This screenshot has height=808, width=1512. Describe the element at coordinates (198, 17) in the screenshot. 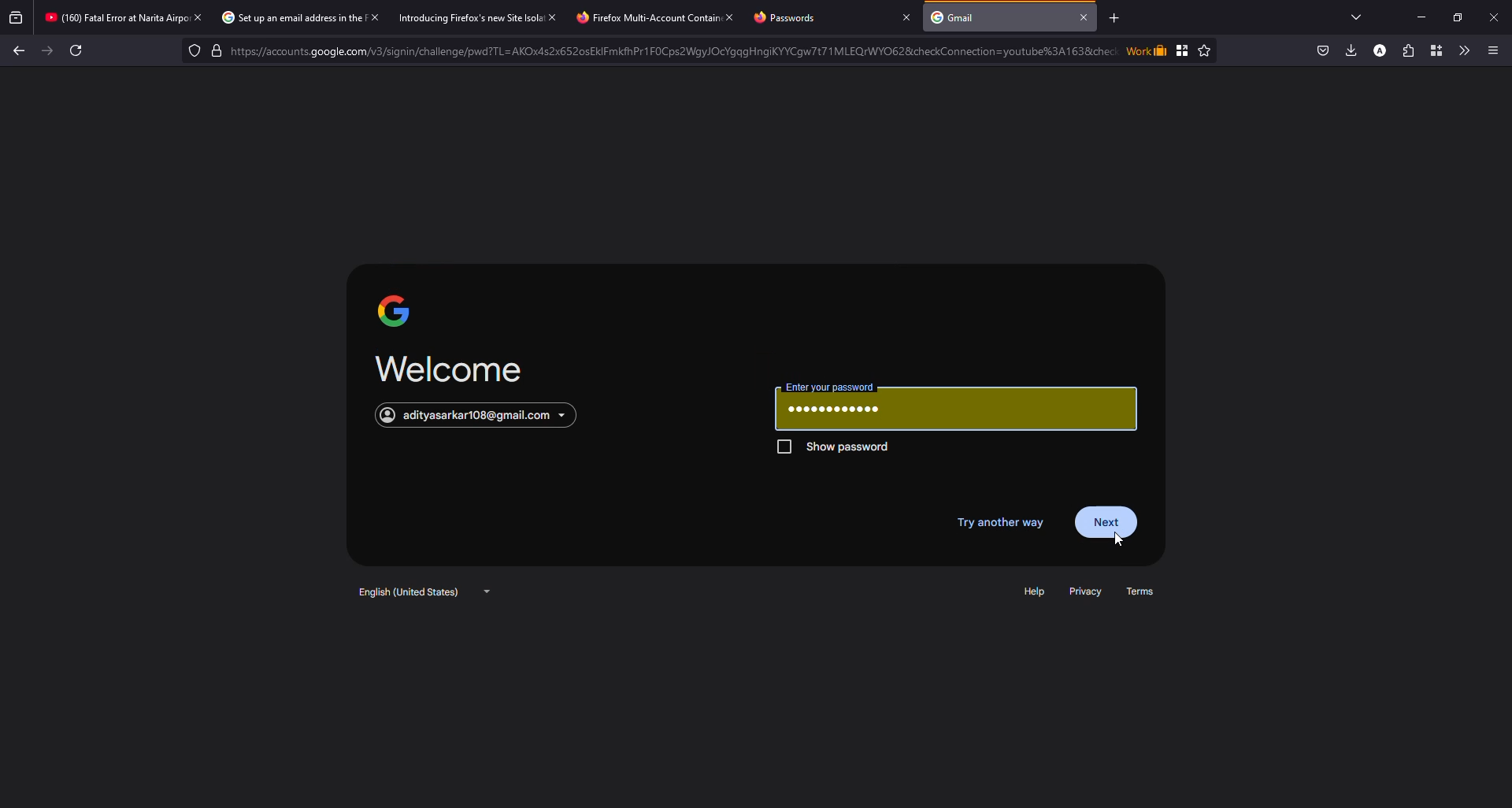

I see `close` at that location.